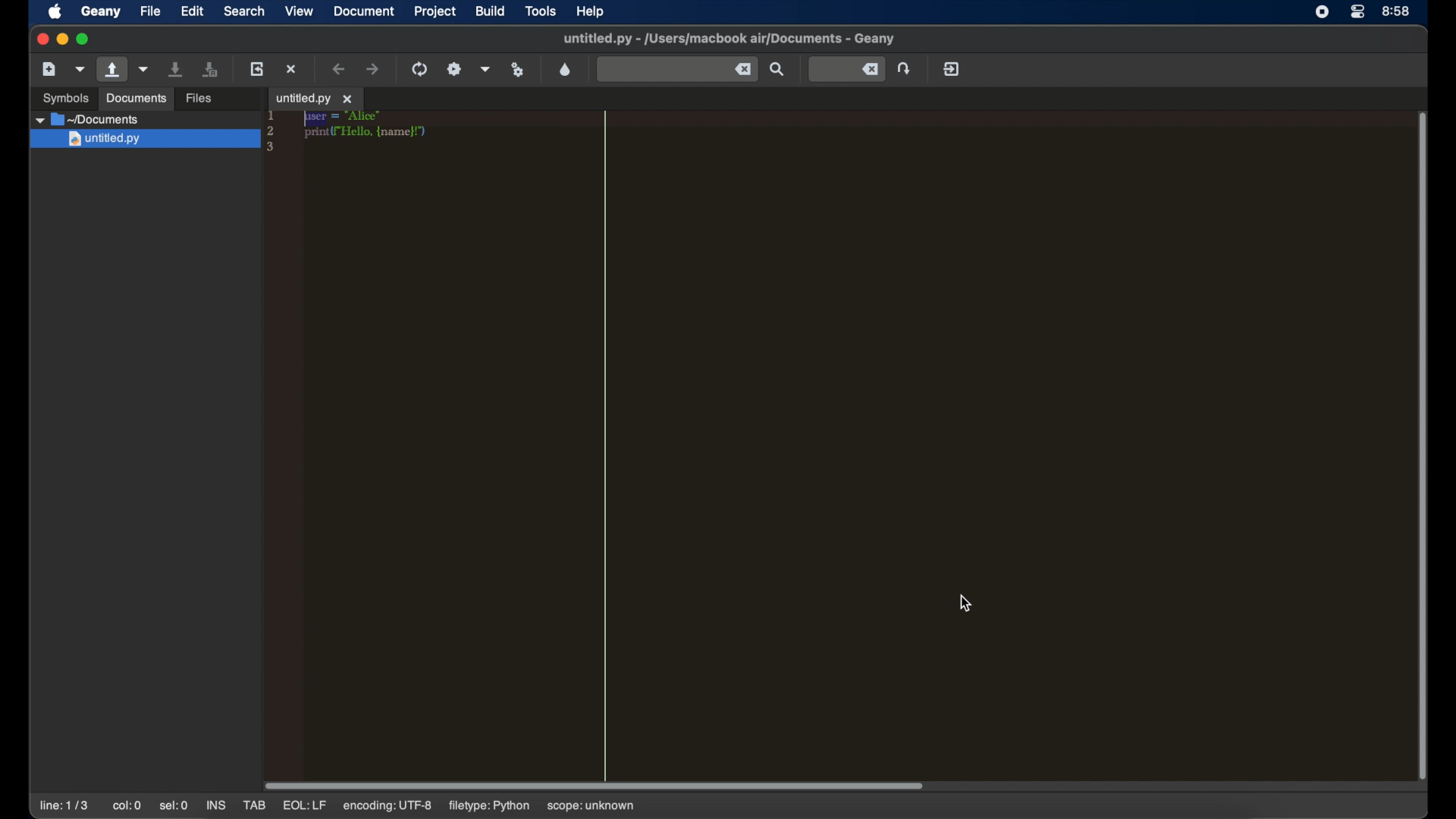 The width and height of the screenshot is (1456, 819). What do you see at coordinates (593, 11) in the screenshot?
I see `help` at bounding box center [593, 11].